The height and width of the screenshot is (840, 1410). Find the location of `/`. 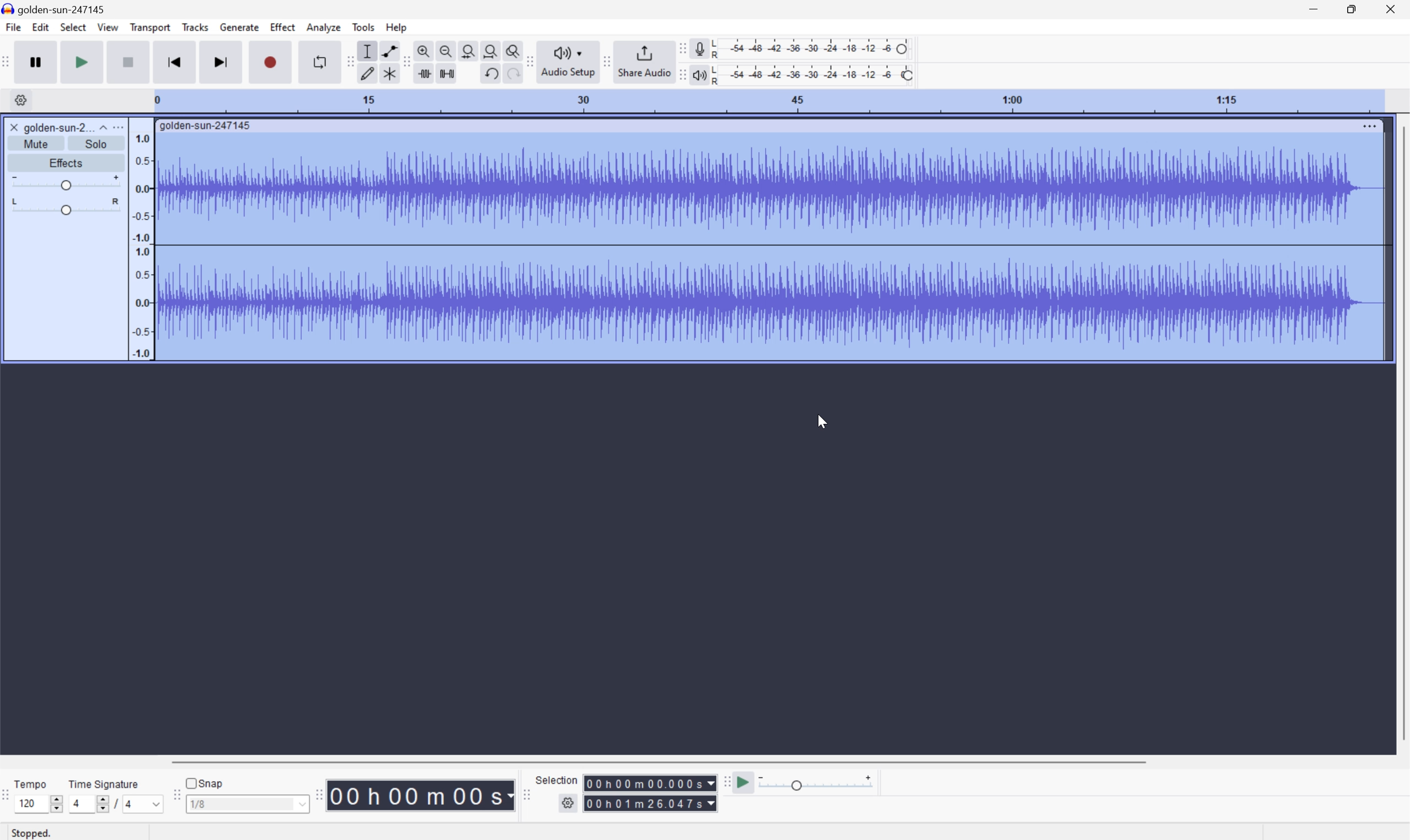

/ is located at coordinates (116, 804).